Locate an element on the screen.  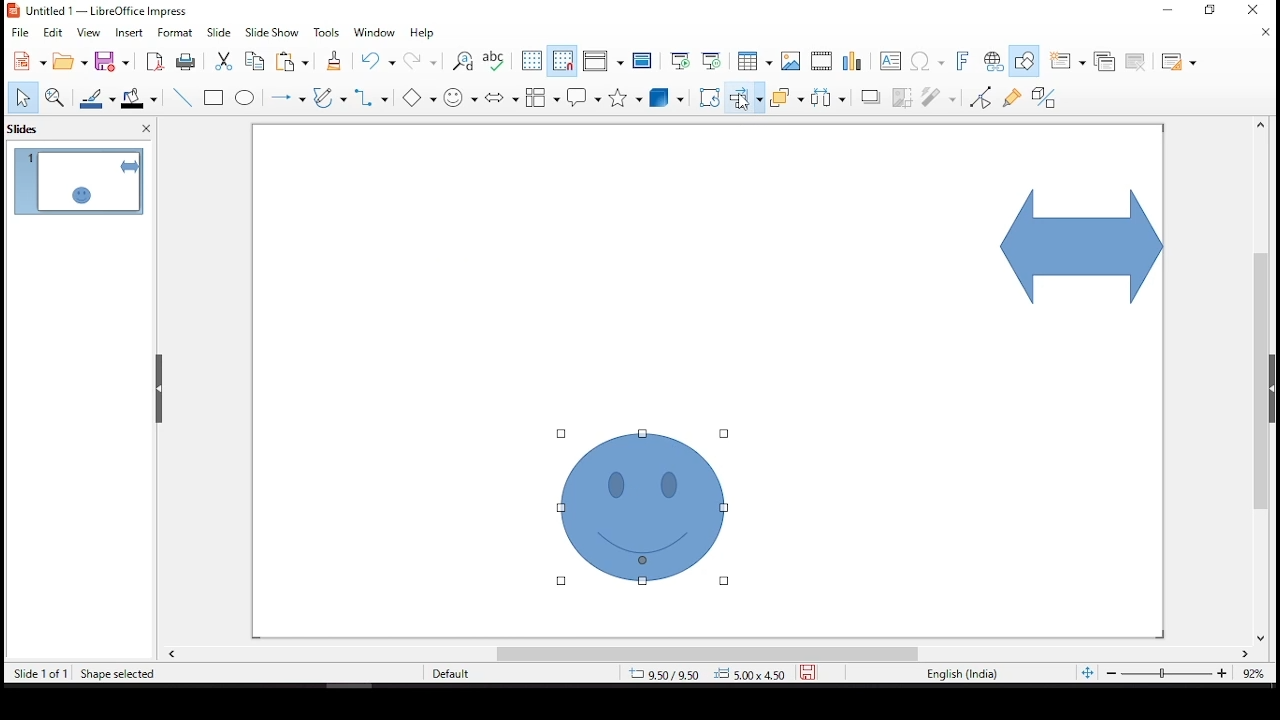
restore is located at coordinates (1167, 11).